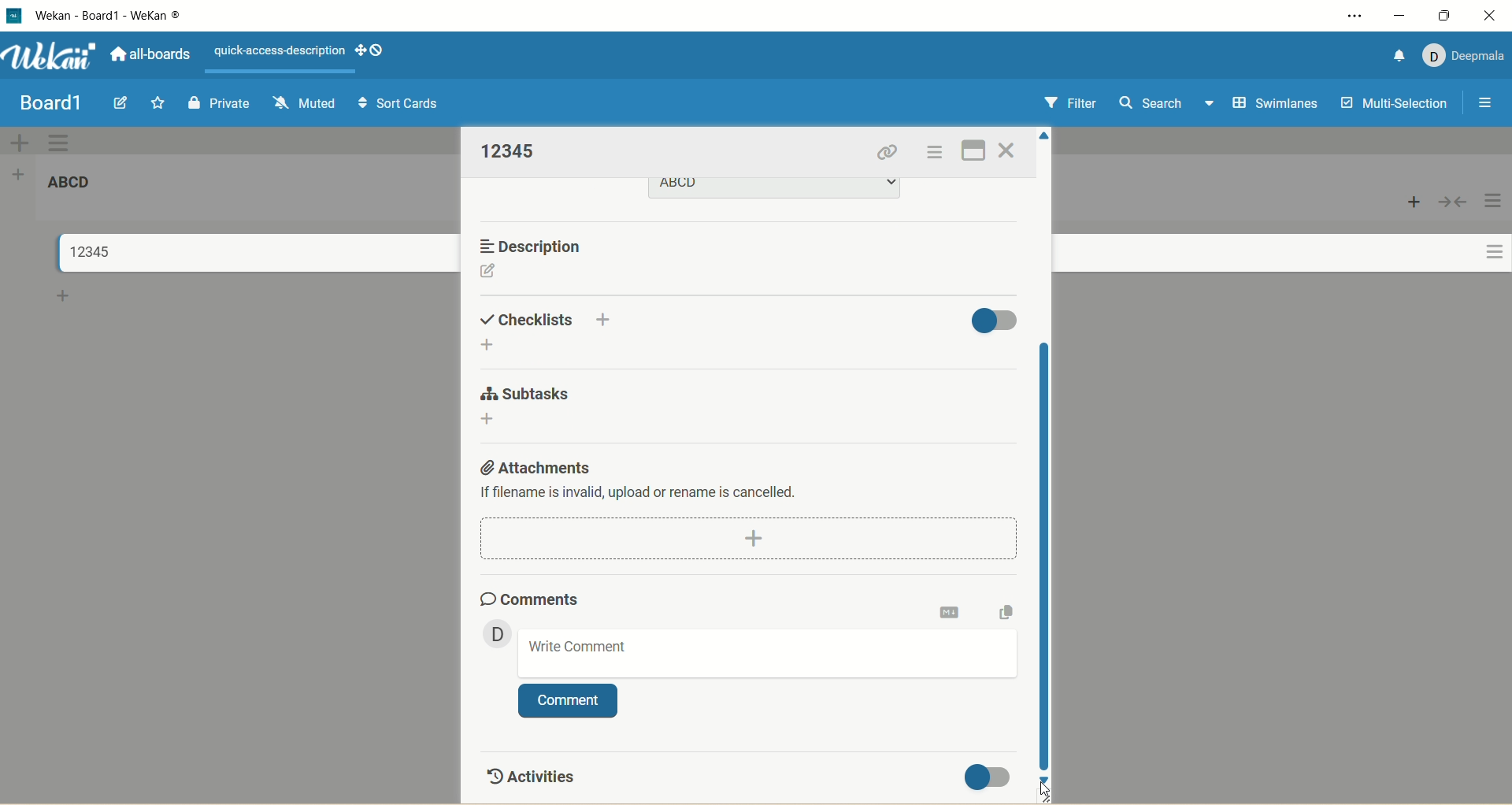  I want to click on description, so click(536, 246).